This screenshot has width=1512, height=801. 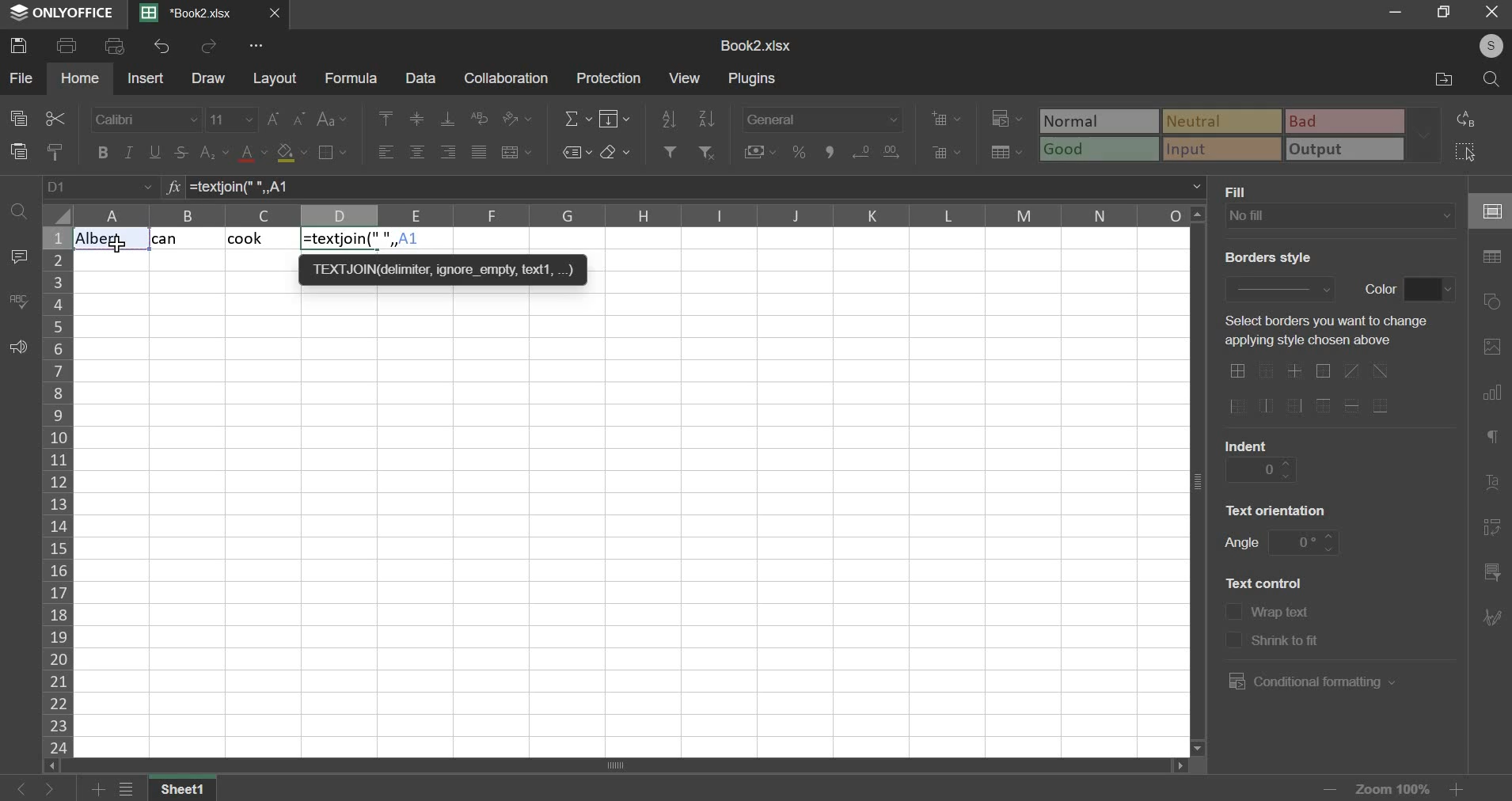 I want to click on align center, so click(x=417, y=153).